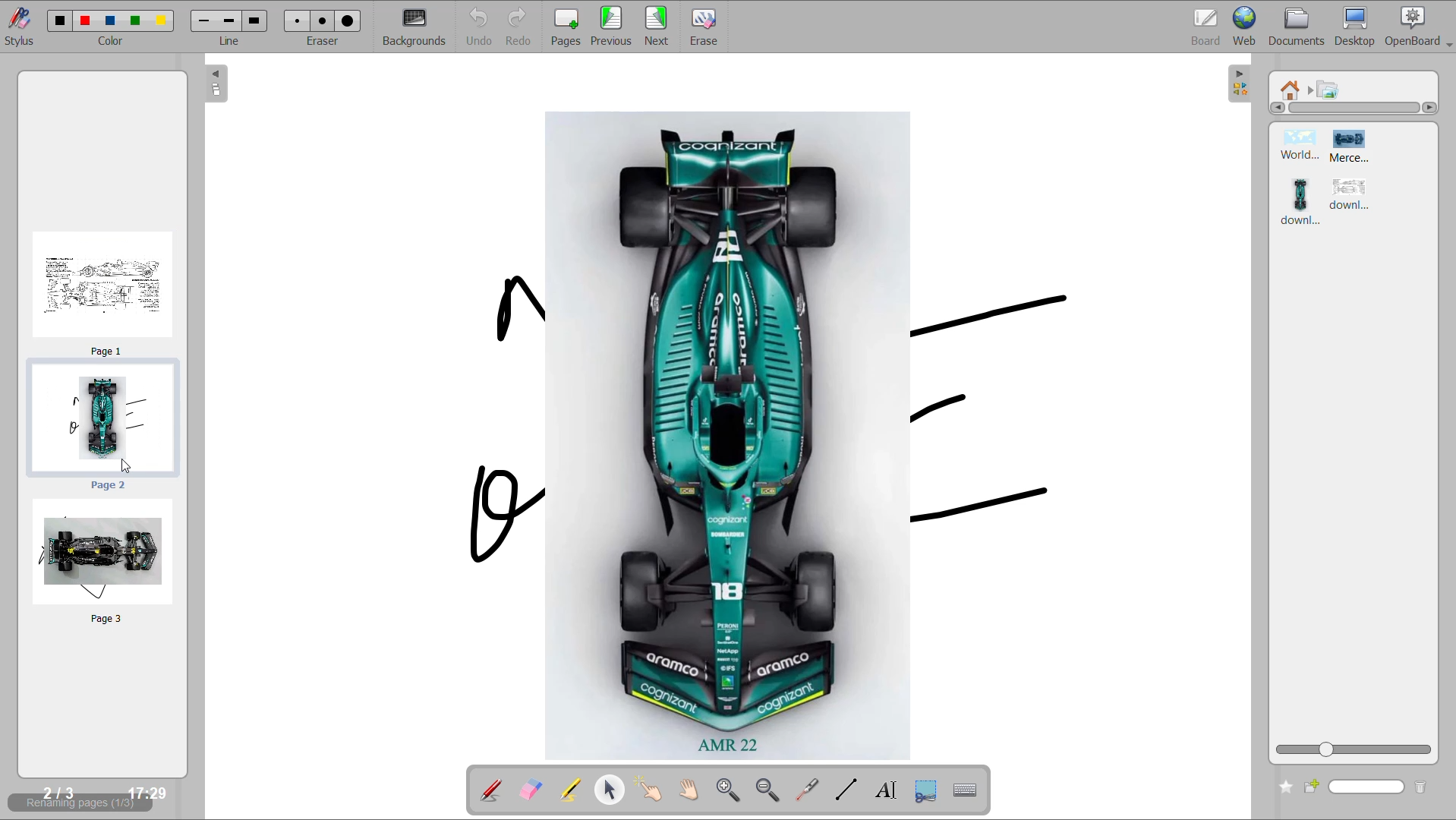  What do you see at coordinates (149, 794) in the screenshot?
I see `17:29` at bounding box center [149, 794].